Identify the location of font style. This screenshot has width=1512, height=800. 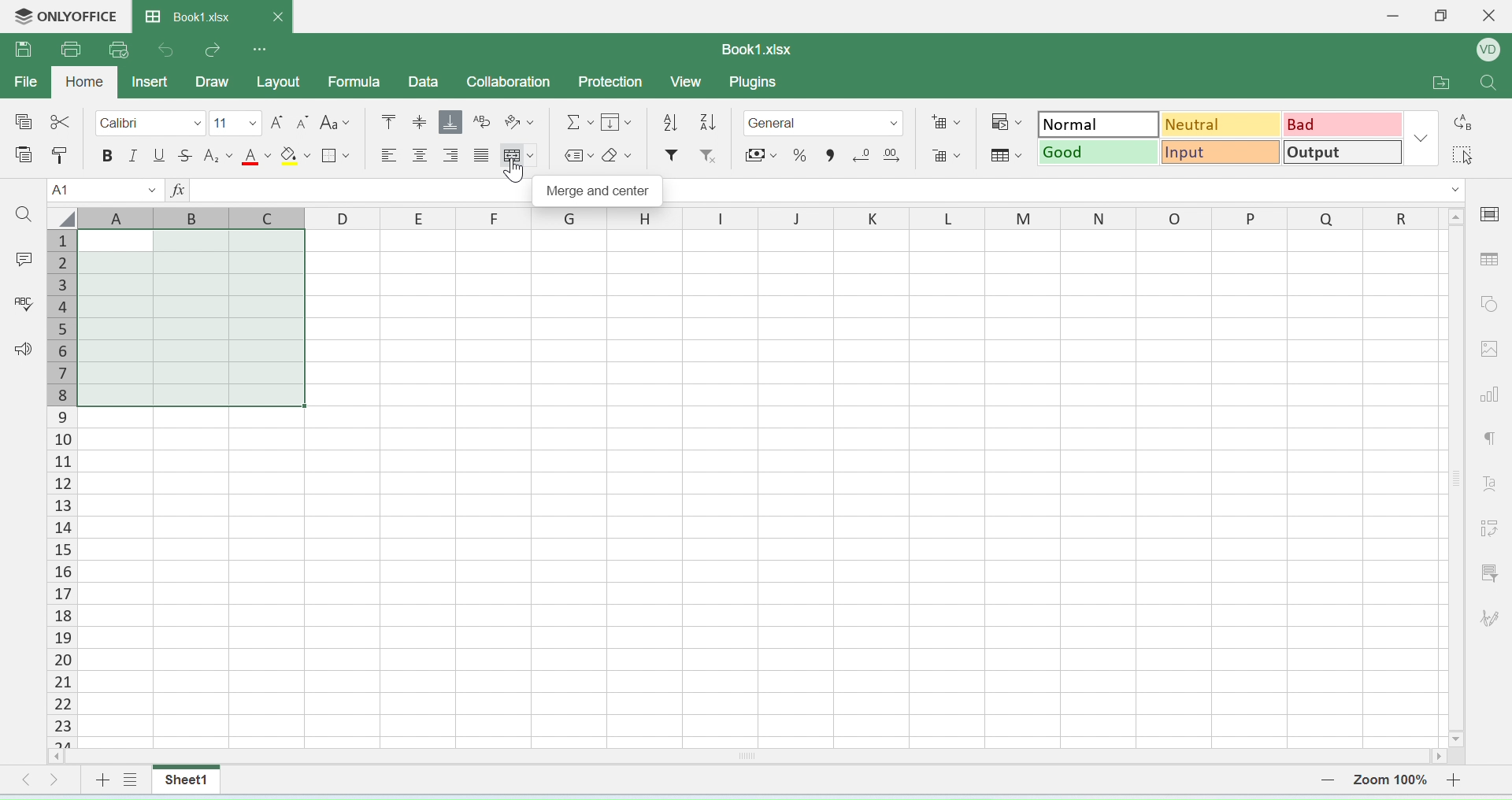
(341, 123).